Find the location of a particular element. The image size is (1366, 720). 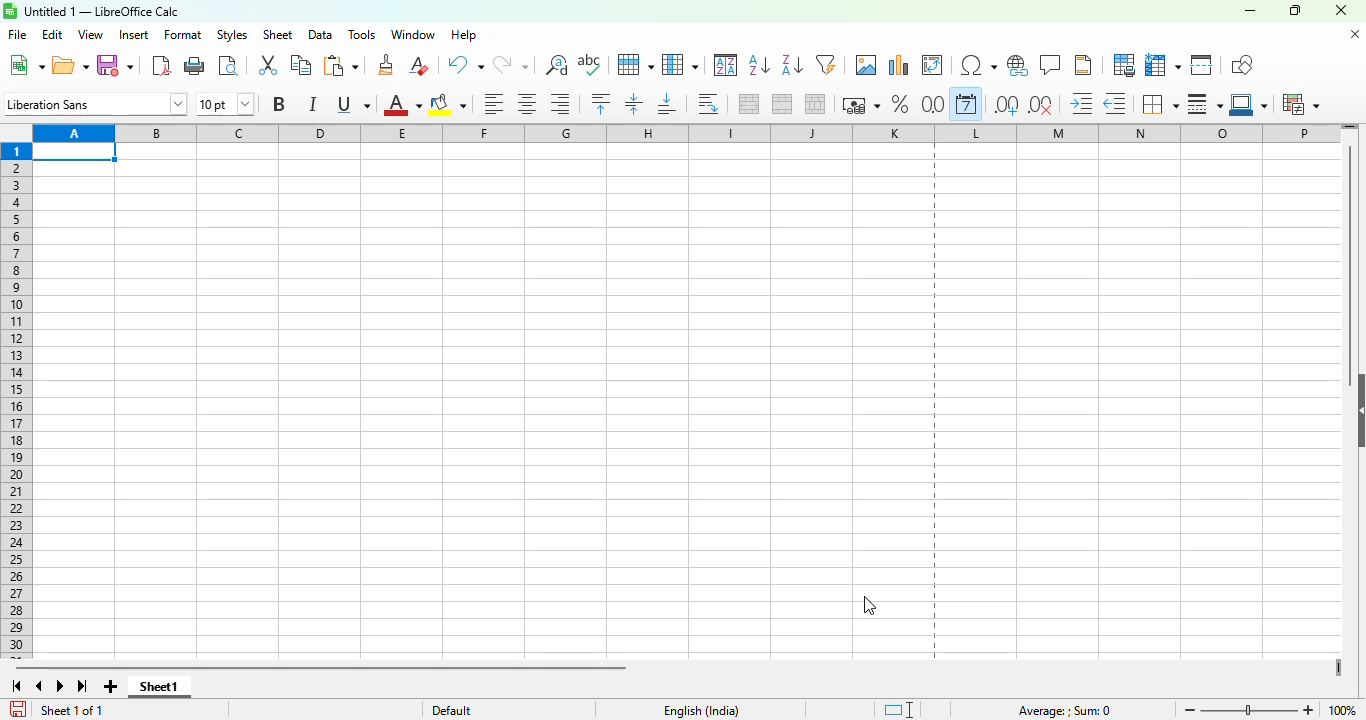

scroll to last sheet is located at coordinates (83, 686).